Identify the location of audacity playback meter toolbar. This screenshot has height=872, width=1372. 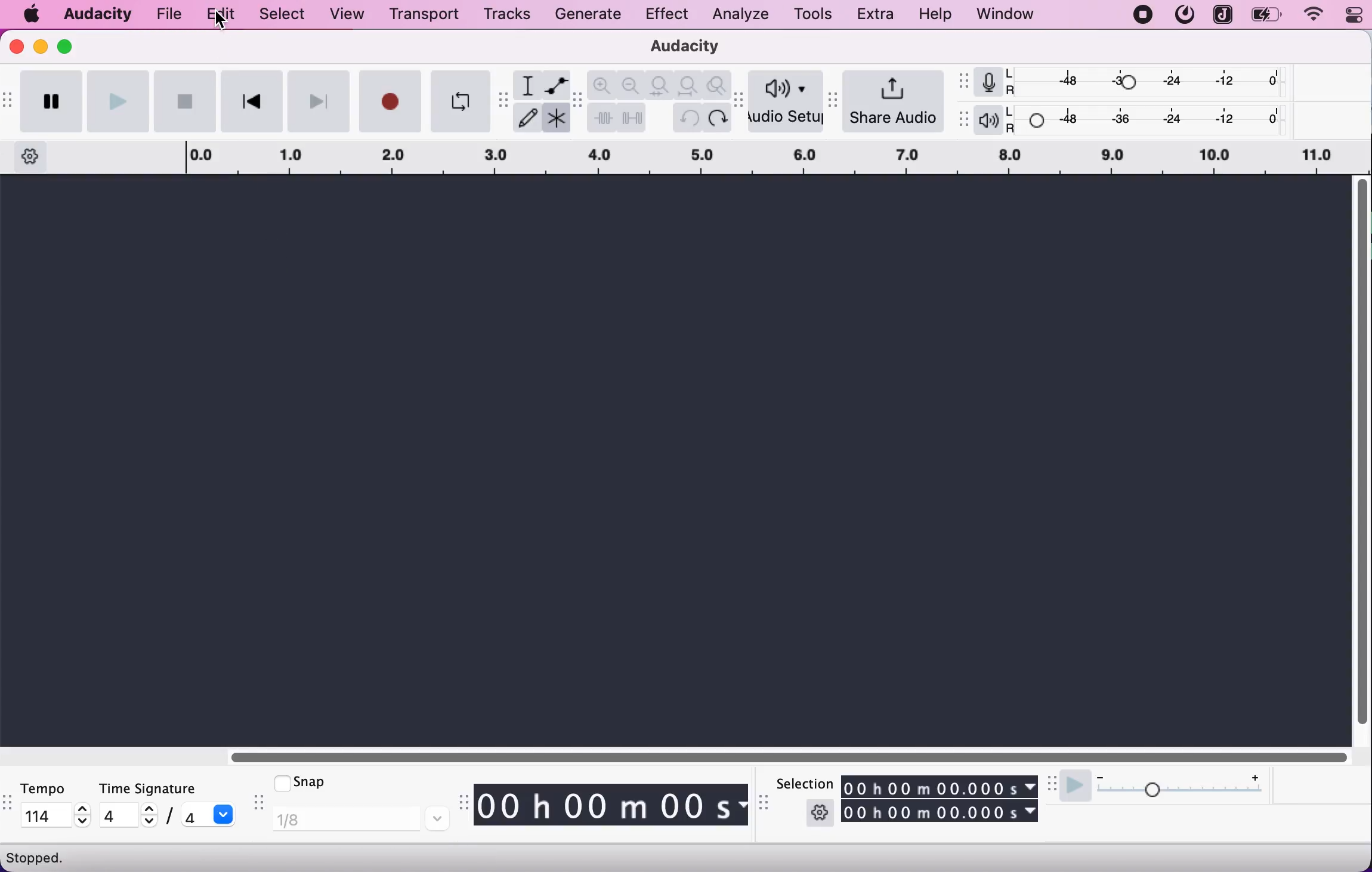
(965, 120).